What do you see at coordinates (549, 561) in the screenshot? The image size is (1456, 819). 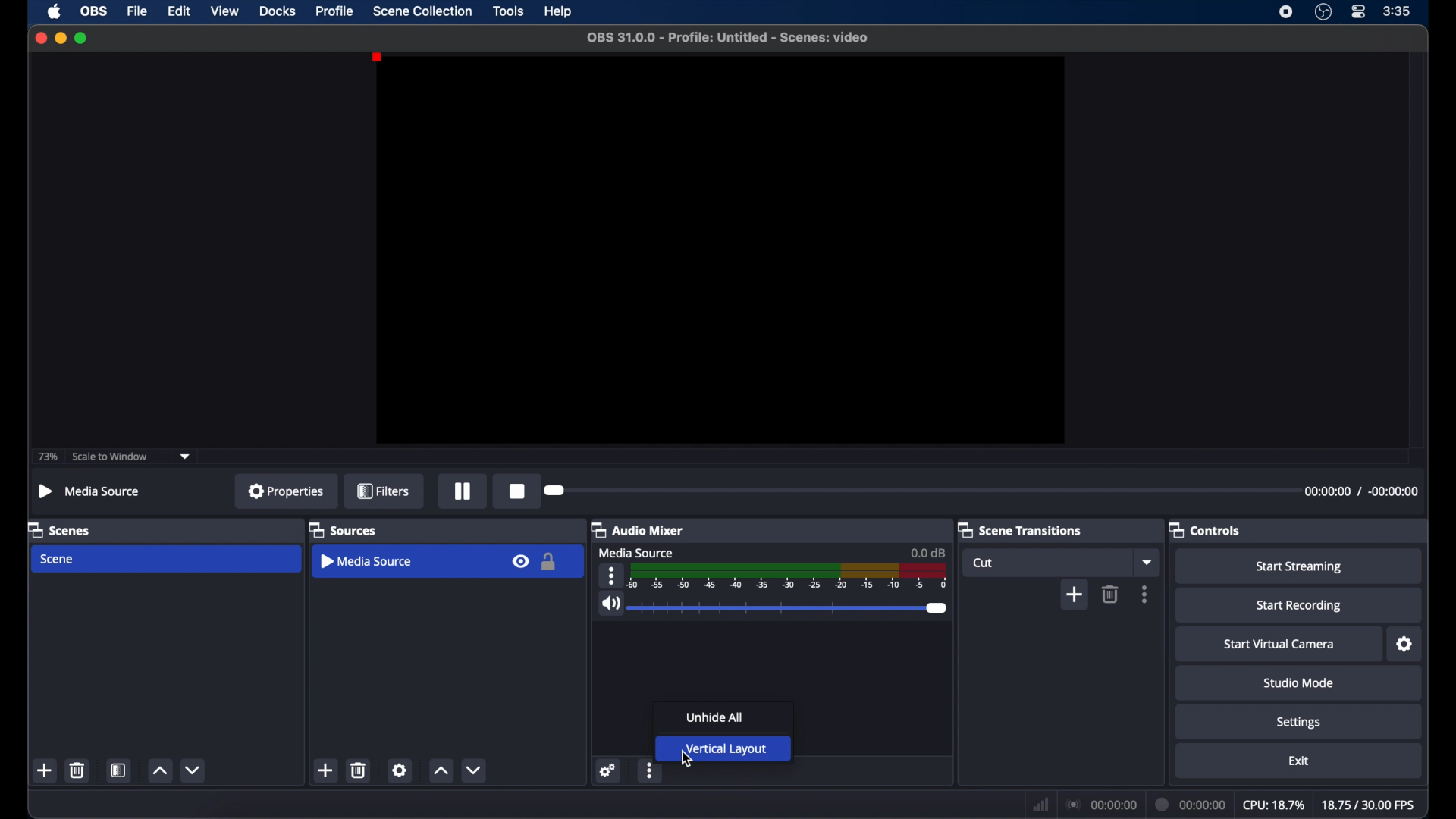 I see `lock icon` at bounding box center [549, 561].